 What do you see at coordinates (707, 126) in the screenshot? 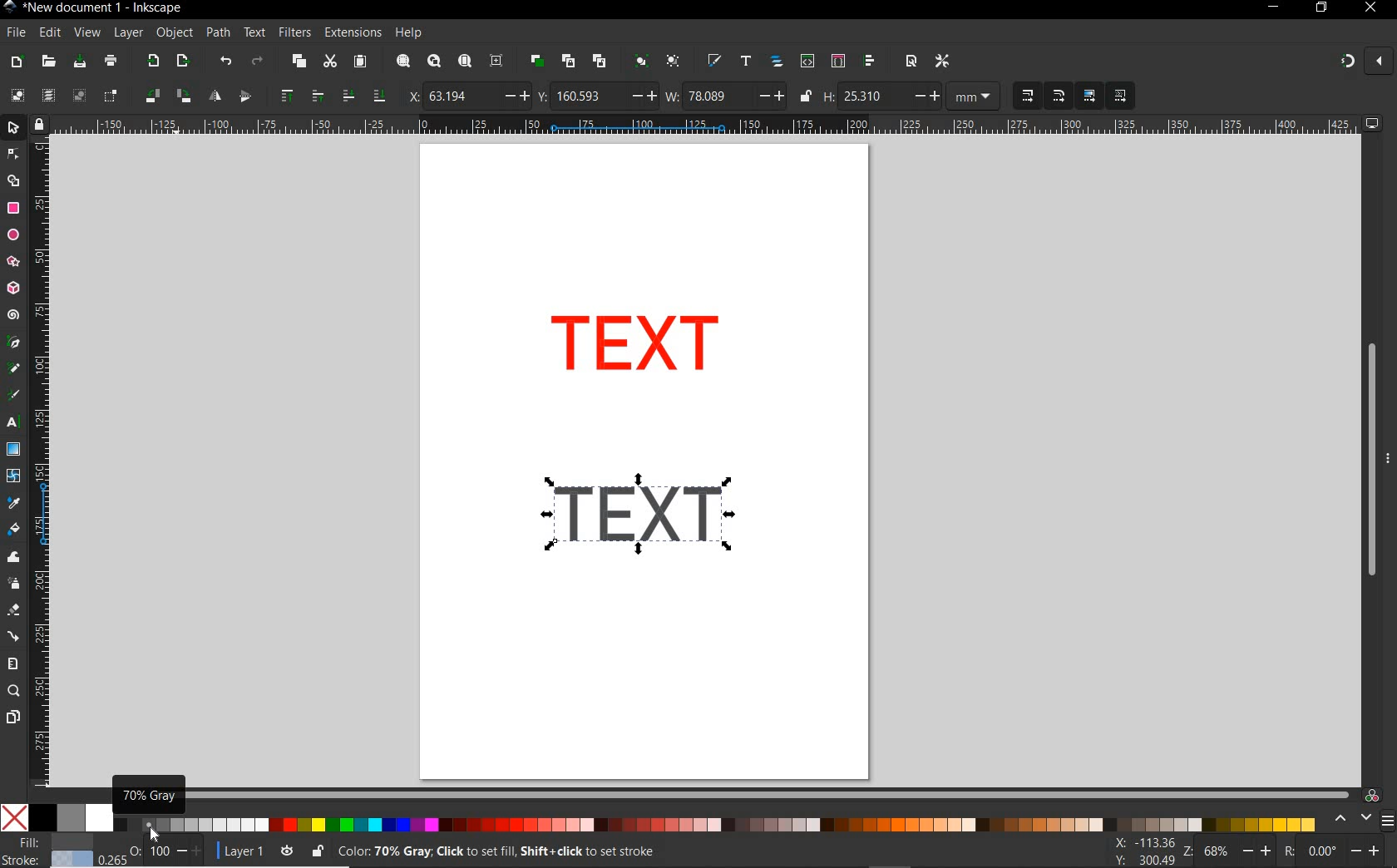
I see `ruler` at bounding box center [707, 126].